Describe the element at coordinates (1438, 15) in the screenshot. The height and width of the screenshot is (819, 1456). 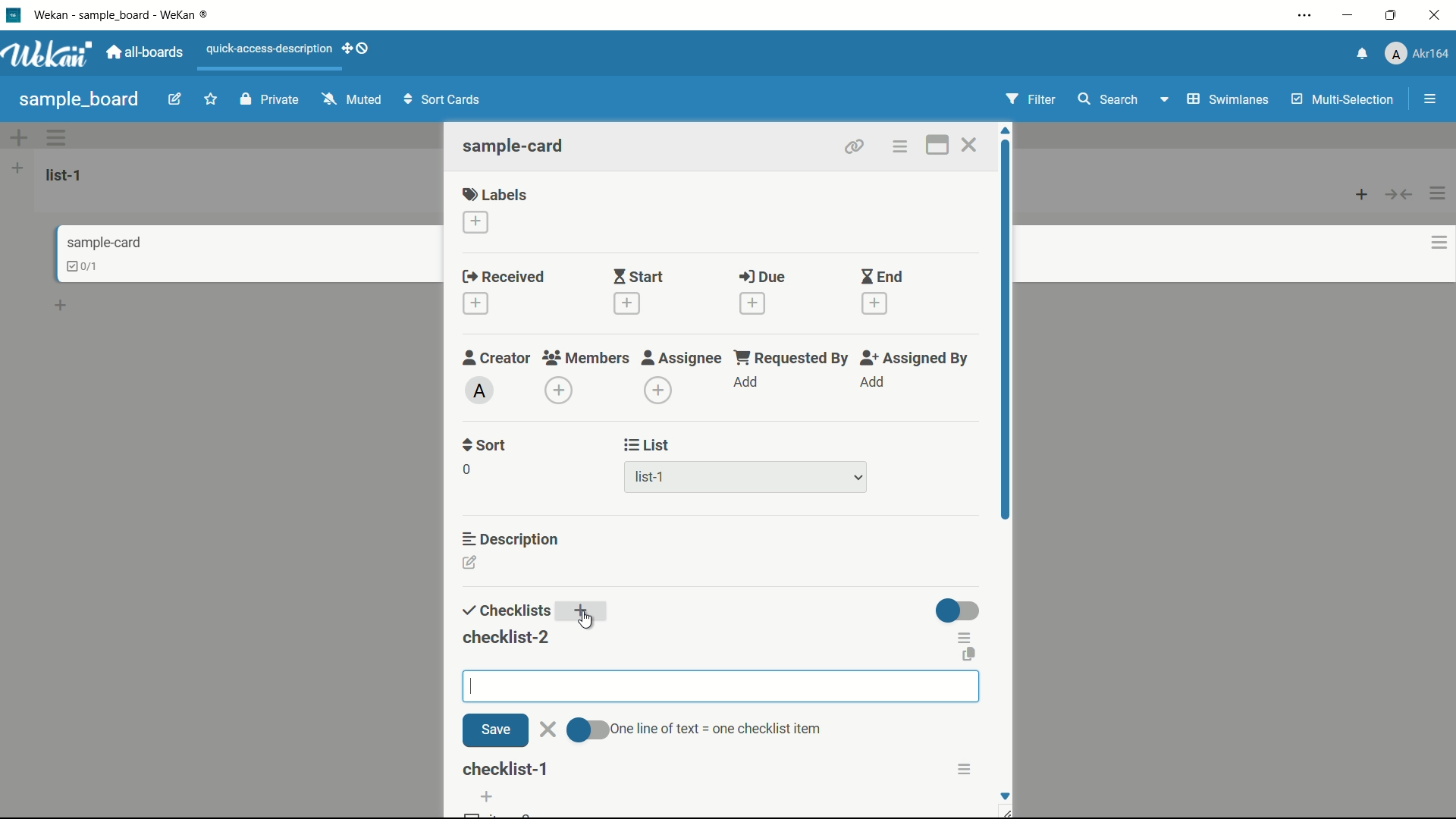
I see `close app` at that location.